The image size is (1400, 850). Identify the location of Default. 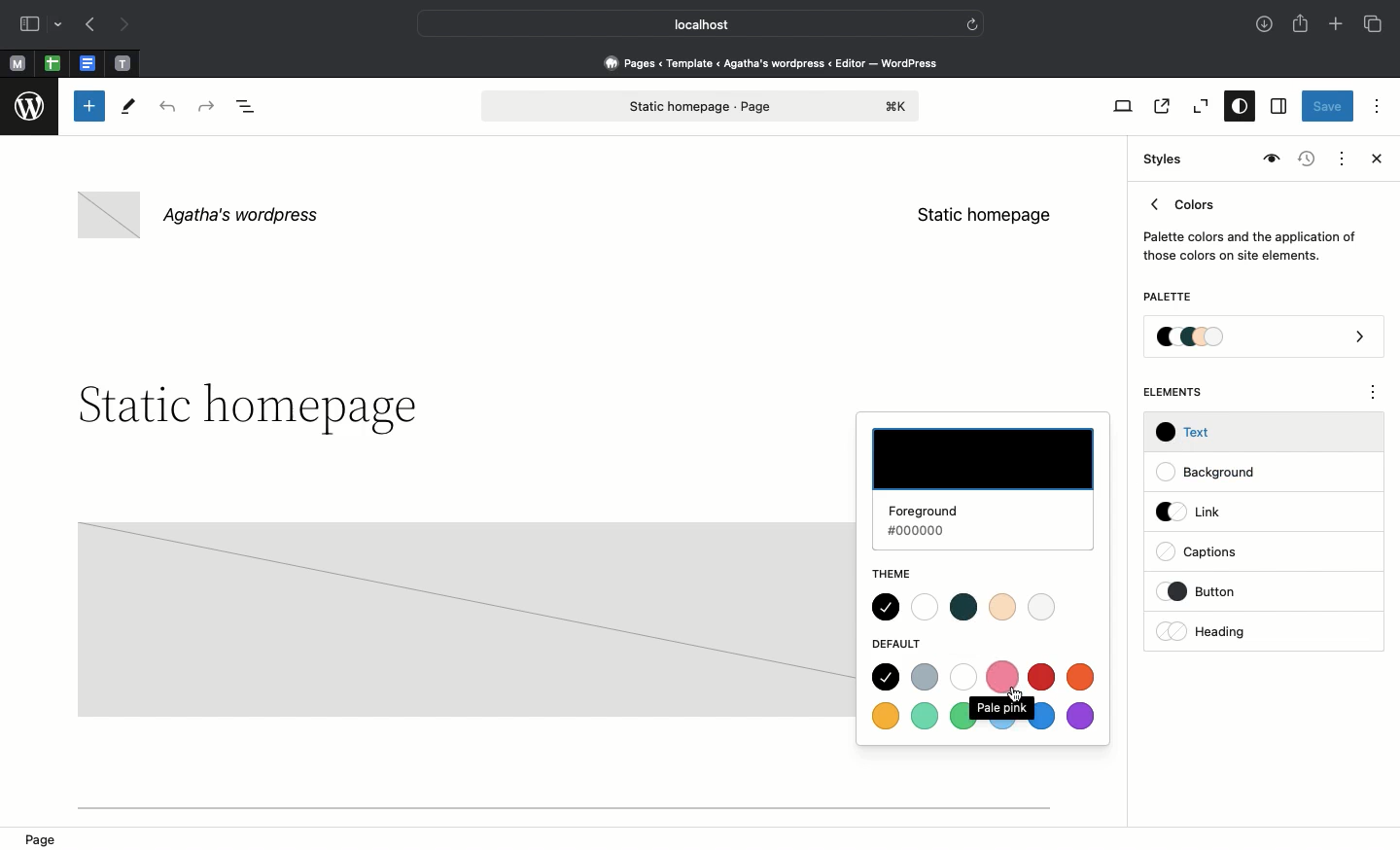
(899, 644).